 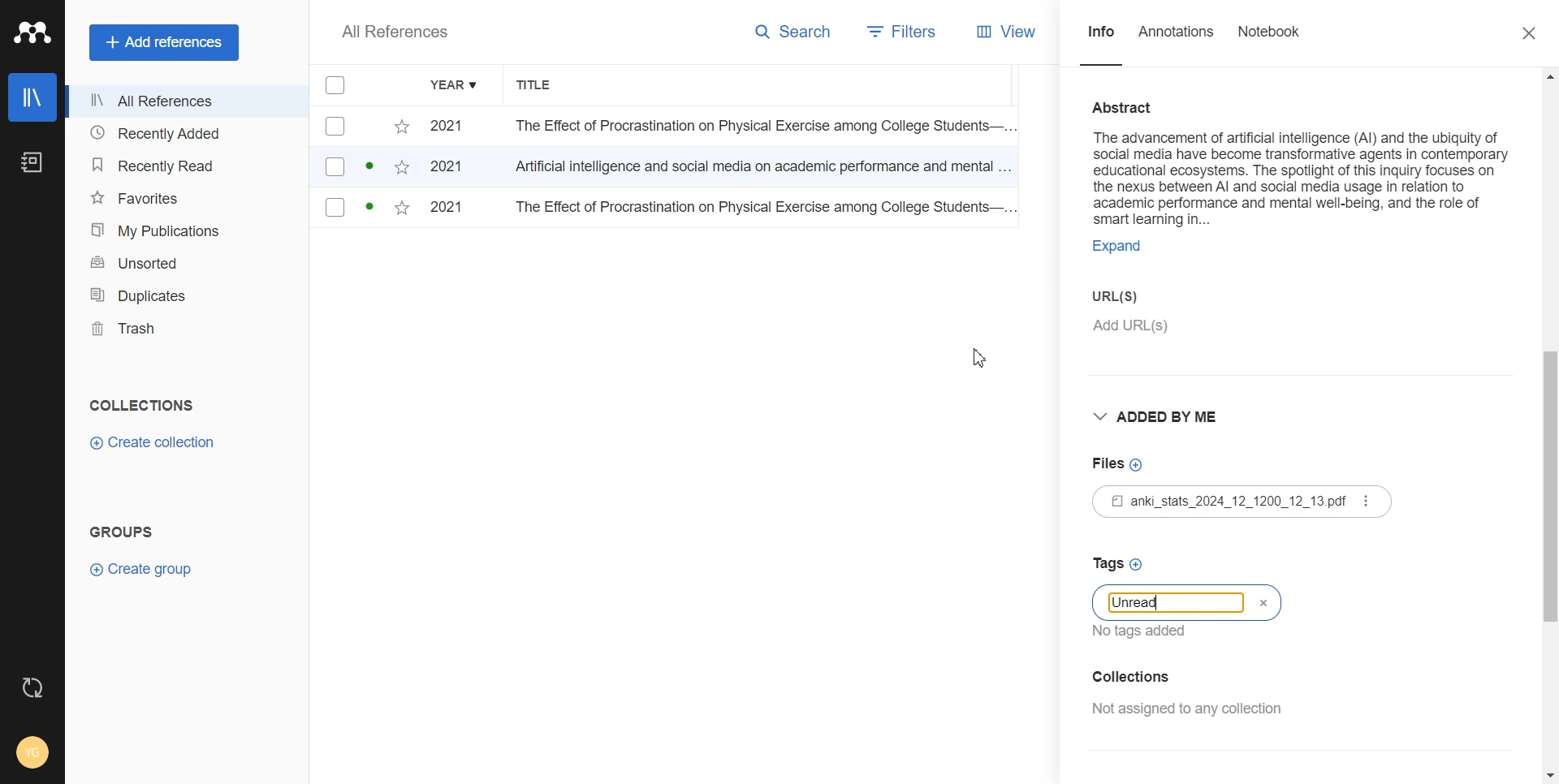 What do you see at coordinates (186, 329) in the screenshot?
I see `Trash` at bounding box center [186, 329].